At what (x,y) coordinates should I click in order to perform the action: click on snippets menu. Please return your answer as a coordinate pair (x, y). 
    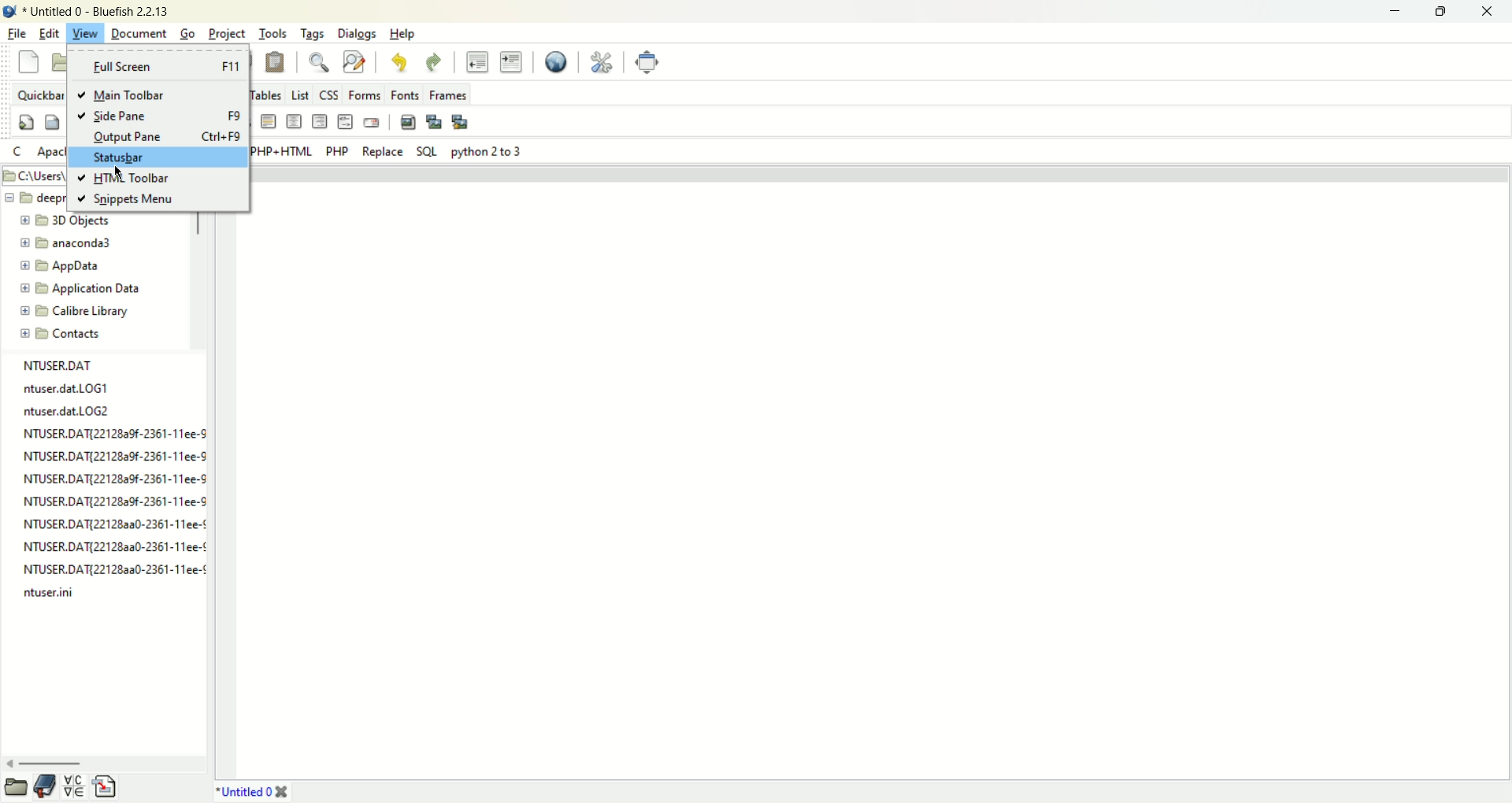
    Looking at the image, I should click on (153, 199).